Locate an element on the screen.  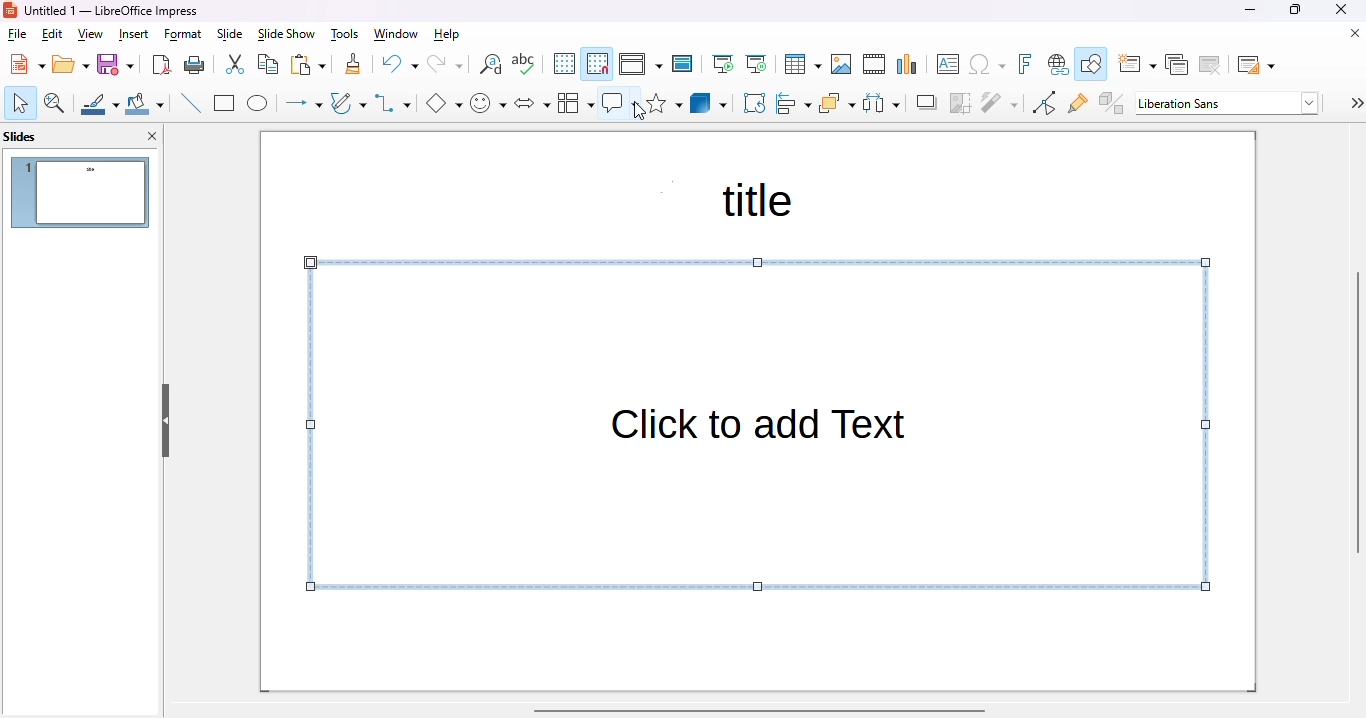
stars and banners is located at coordinates (664, 102).